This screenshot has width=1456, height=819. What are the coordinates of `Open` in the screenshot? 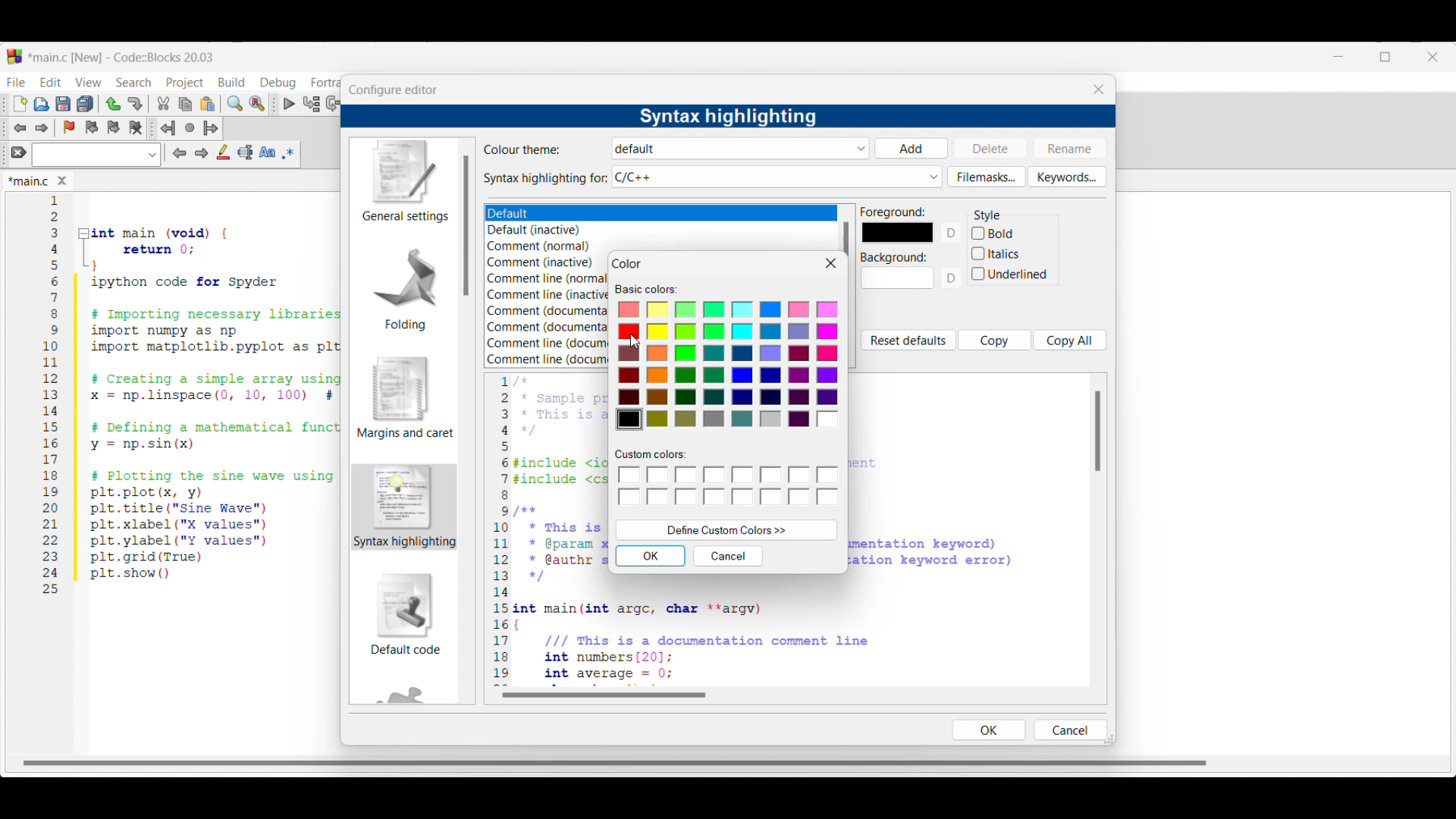 It's located at (42, 104).